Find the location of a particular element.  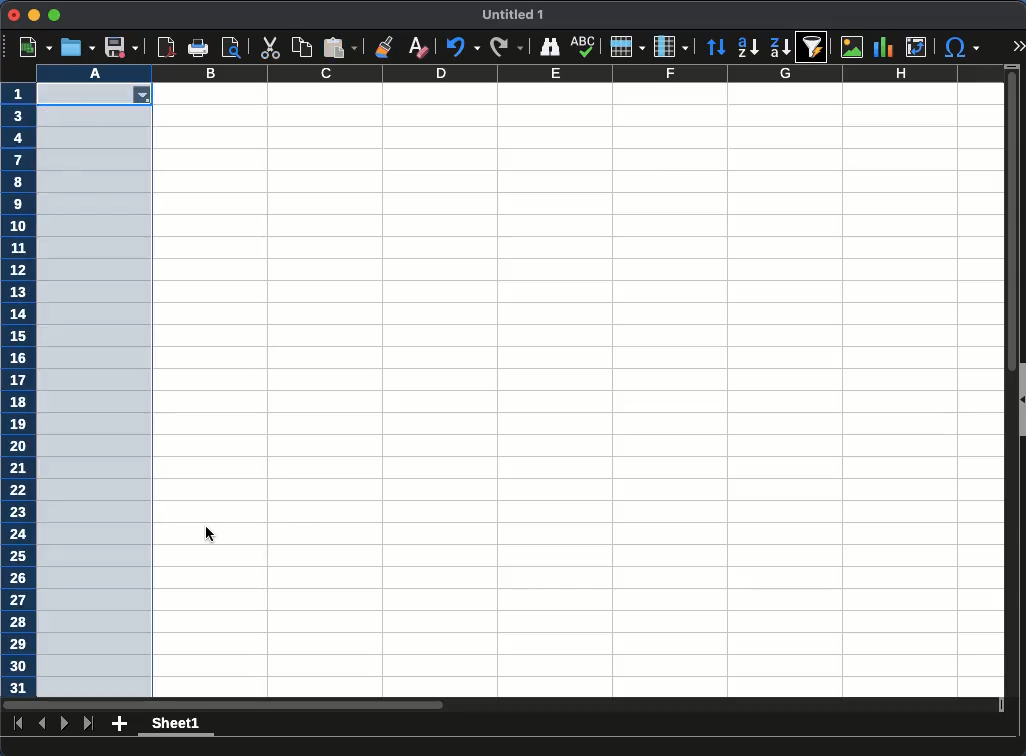

image is located at coordinates (852, 46).